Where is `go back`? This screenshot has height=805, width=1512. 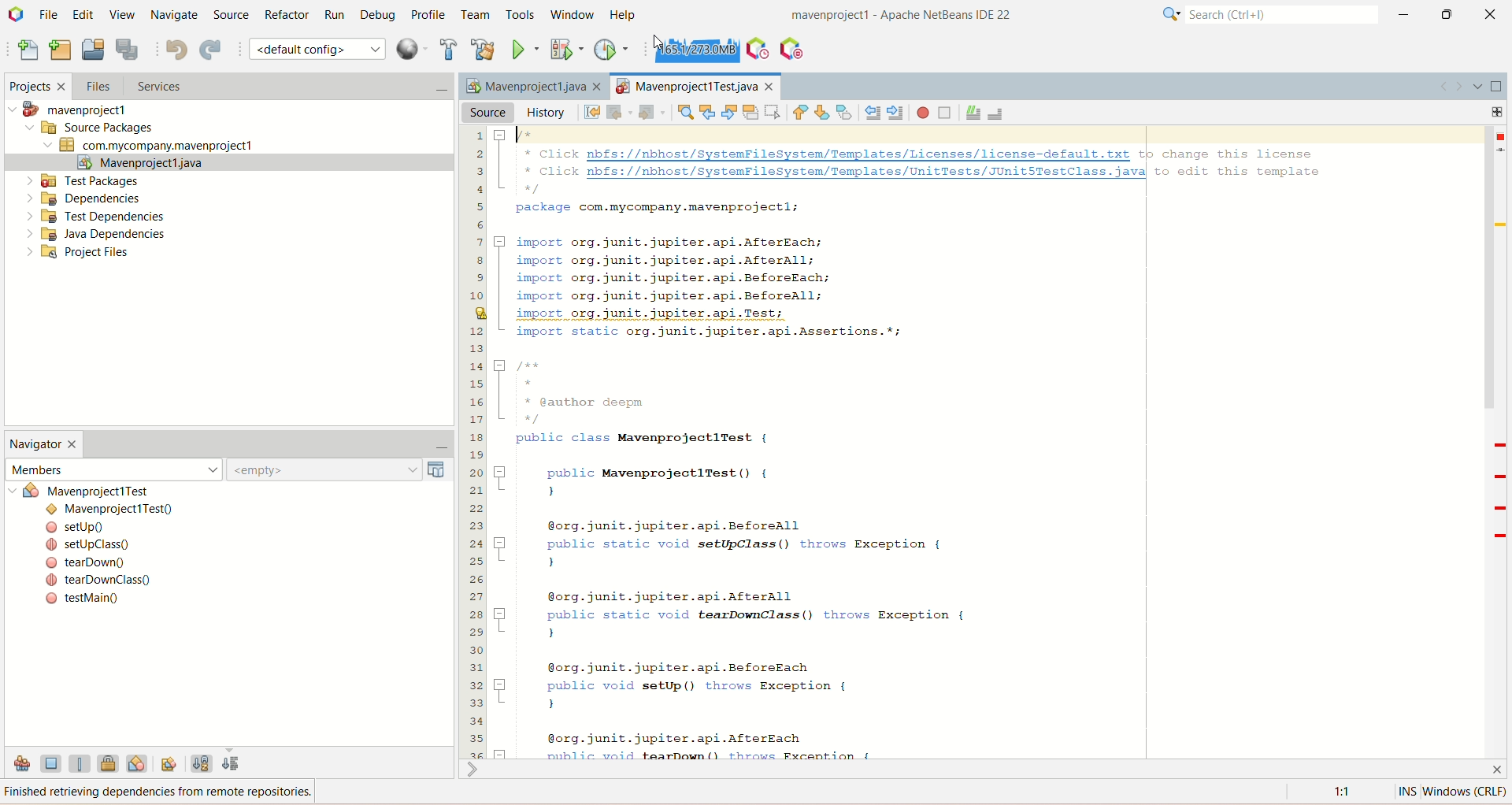 go back is located at coordinates (1439, 86).